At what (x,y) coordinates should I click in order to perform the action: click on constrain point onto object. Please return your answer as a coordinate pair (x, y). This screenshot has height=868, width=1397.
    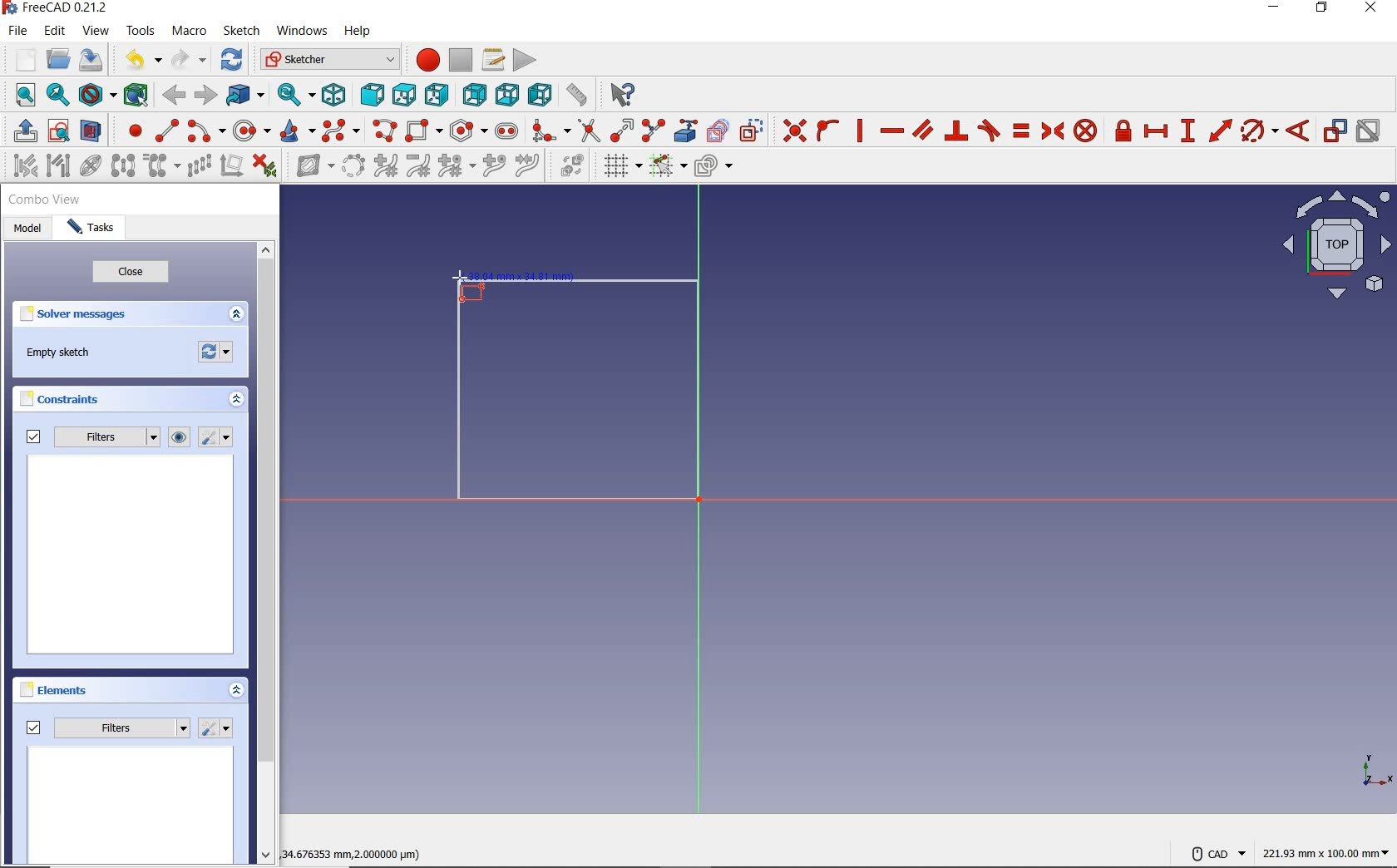
    Looking at the image, I should click on (827, 130).